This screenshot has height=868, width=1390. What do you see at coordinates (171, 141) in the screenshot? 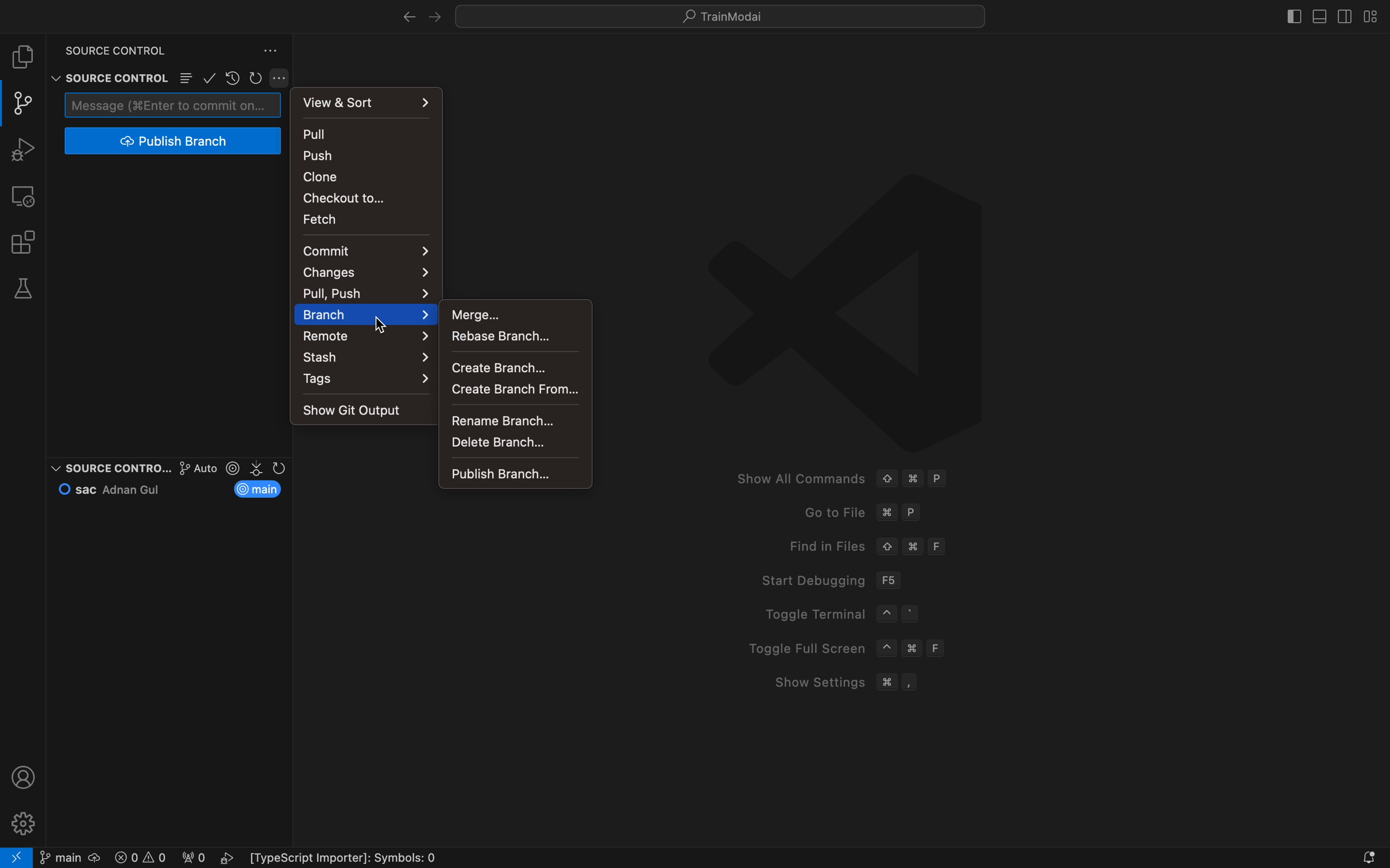
I see `publish branch` at bounding box center [171, 141].